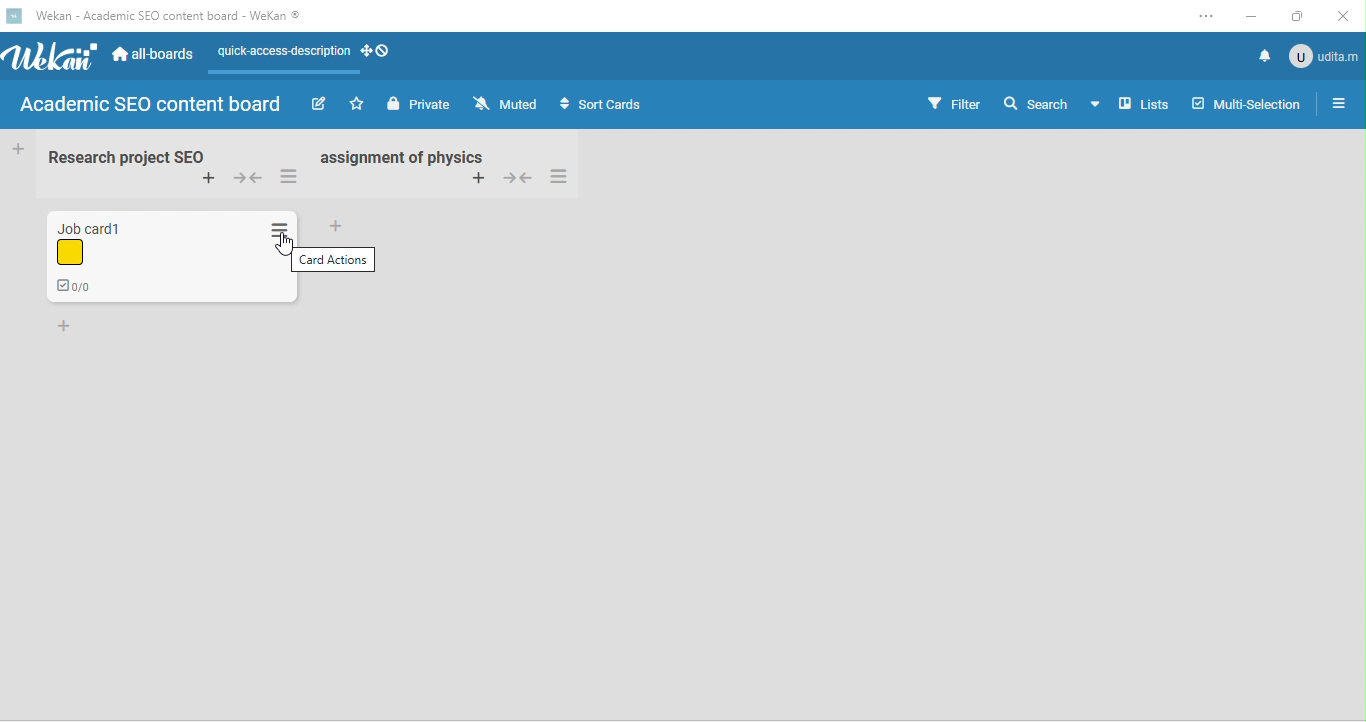 Image resolution: width=1366 pixels, height=722 pixels. Describe the element at coordinates (1306, 17) in the screenshot. I see `maximize` at that location.